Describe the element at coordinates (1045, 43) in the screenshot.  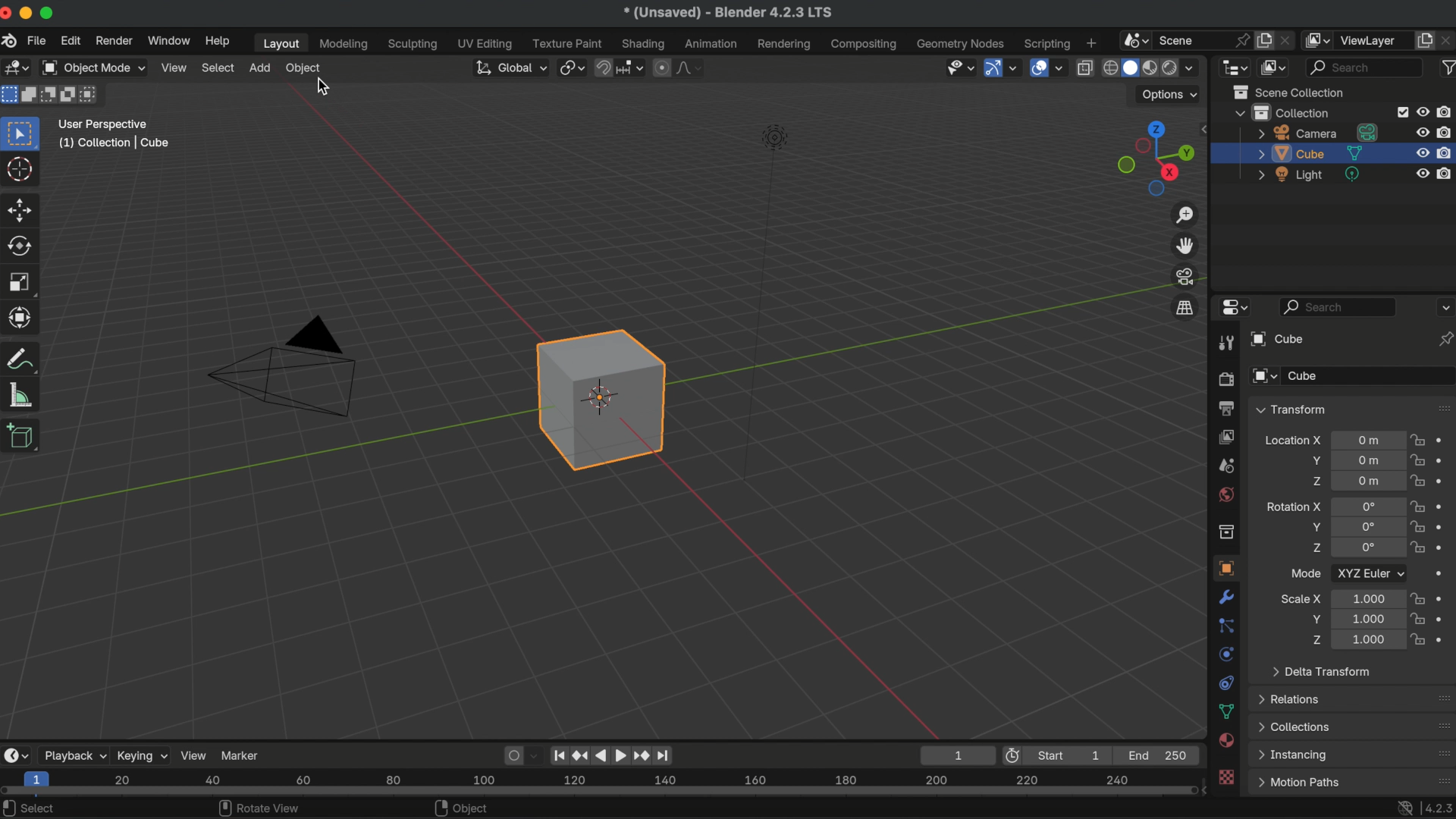
I see `scripting` at that location.